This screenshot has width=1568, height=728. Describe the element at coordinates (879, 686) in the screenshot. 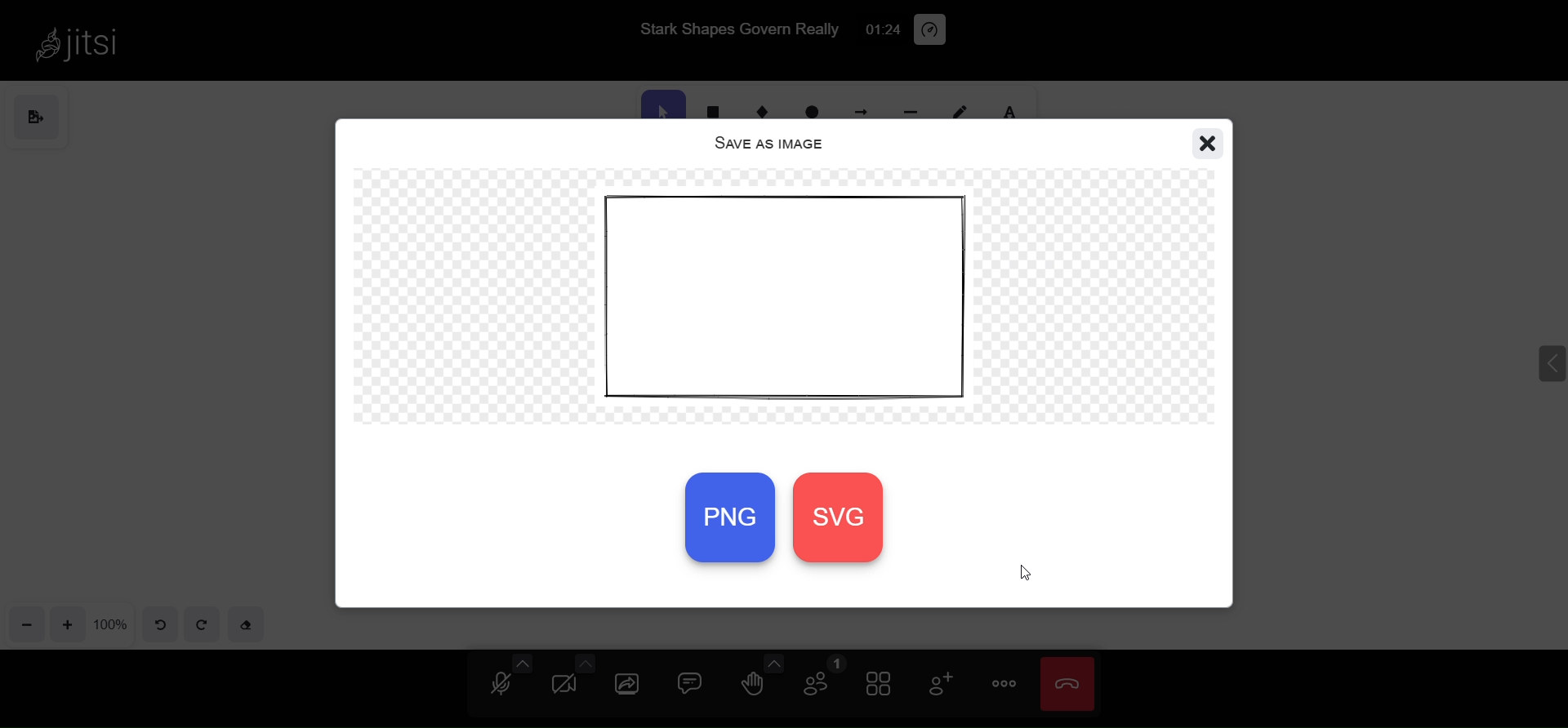

I see `tile view` at that location.